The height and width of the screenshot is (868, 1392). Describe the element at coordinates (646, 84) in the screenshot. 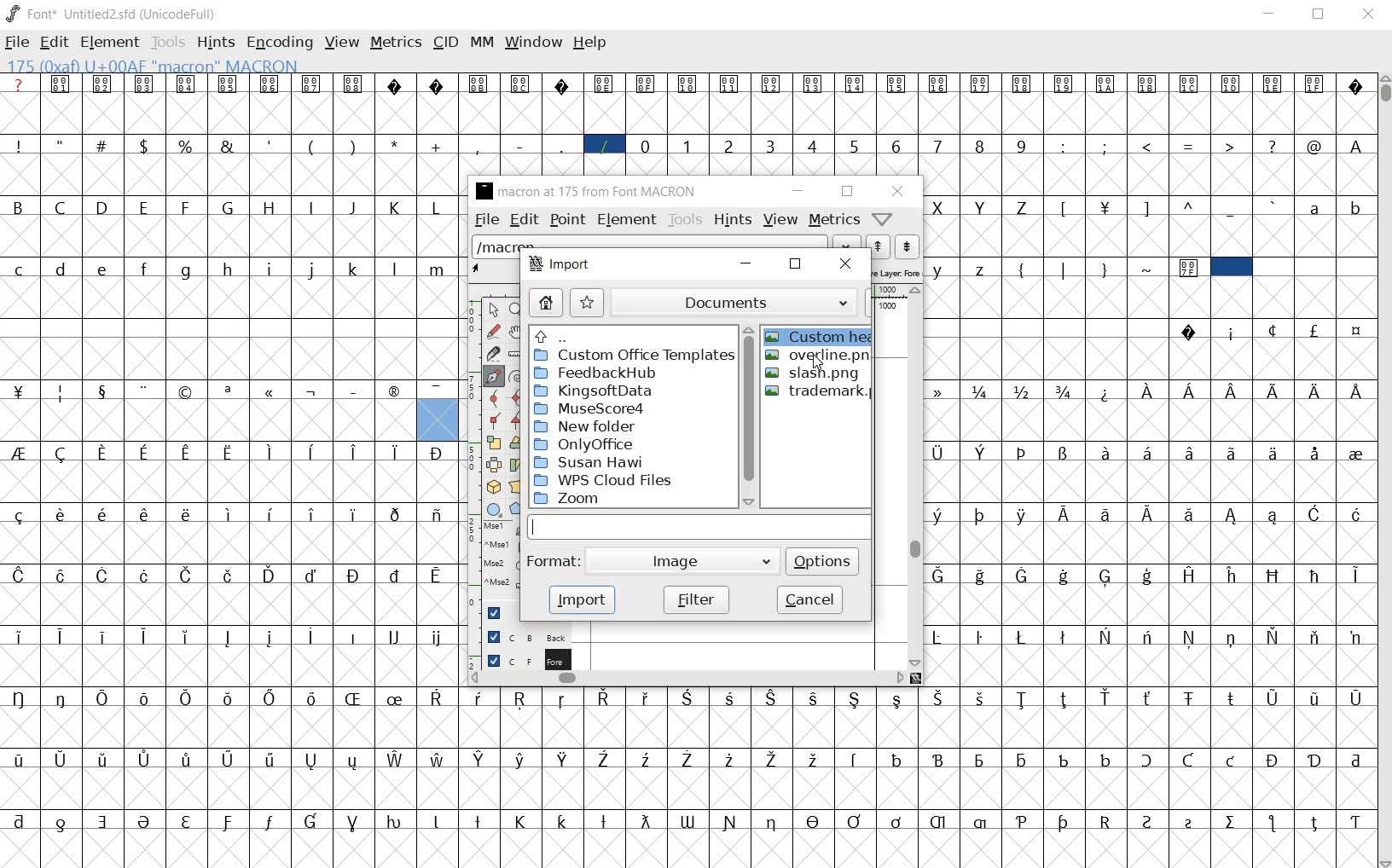

I see `Symbol` at that location.